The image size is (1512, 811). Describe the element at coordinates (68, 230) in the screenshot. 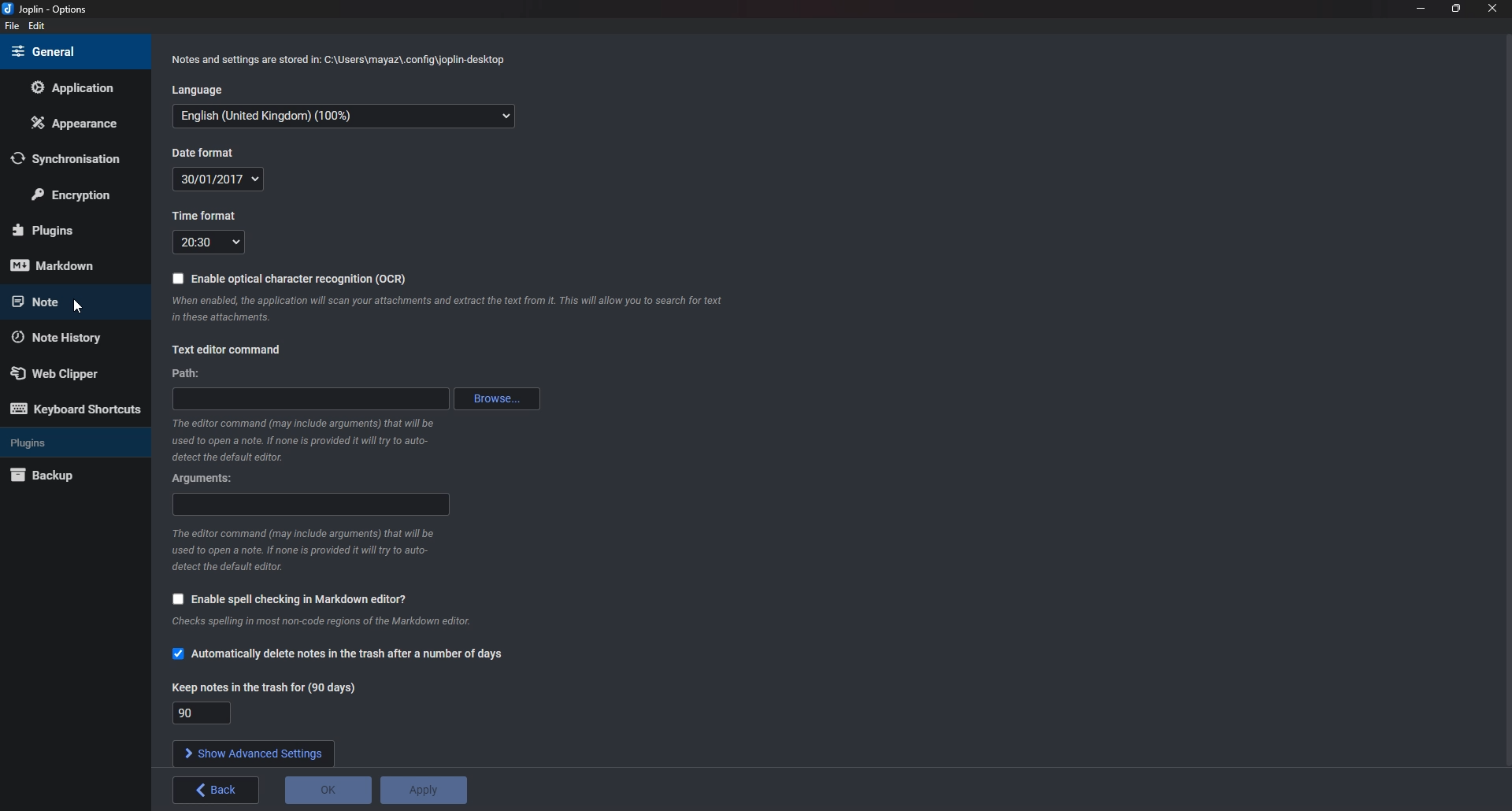

I see `Plugins` at that location.